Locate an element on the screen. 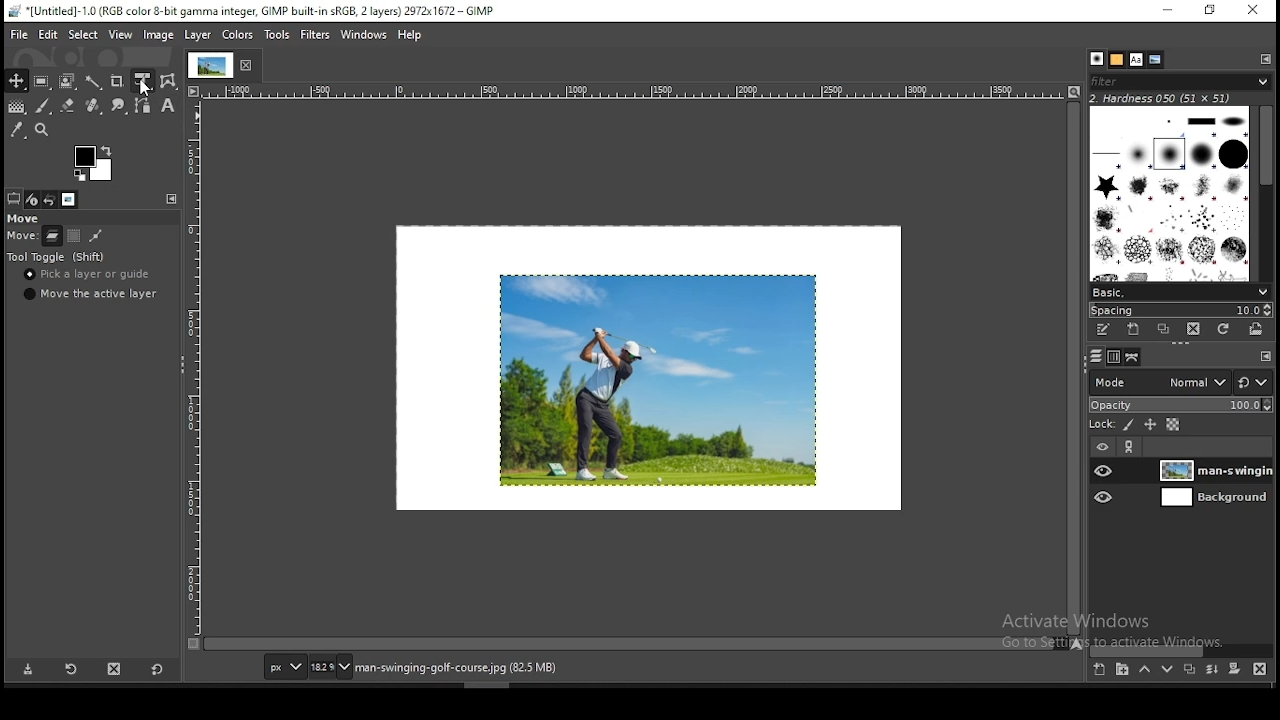  configure this tab is located at coordinates (1263, 355).